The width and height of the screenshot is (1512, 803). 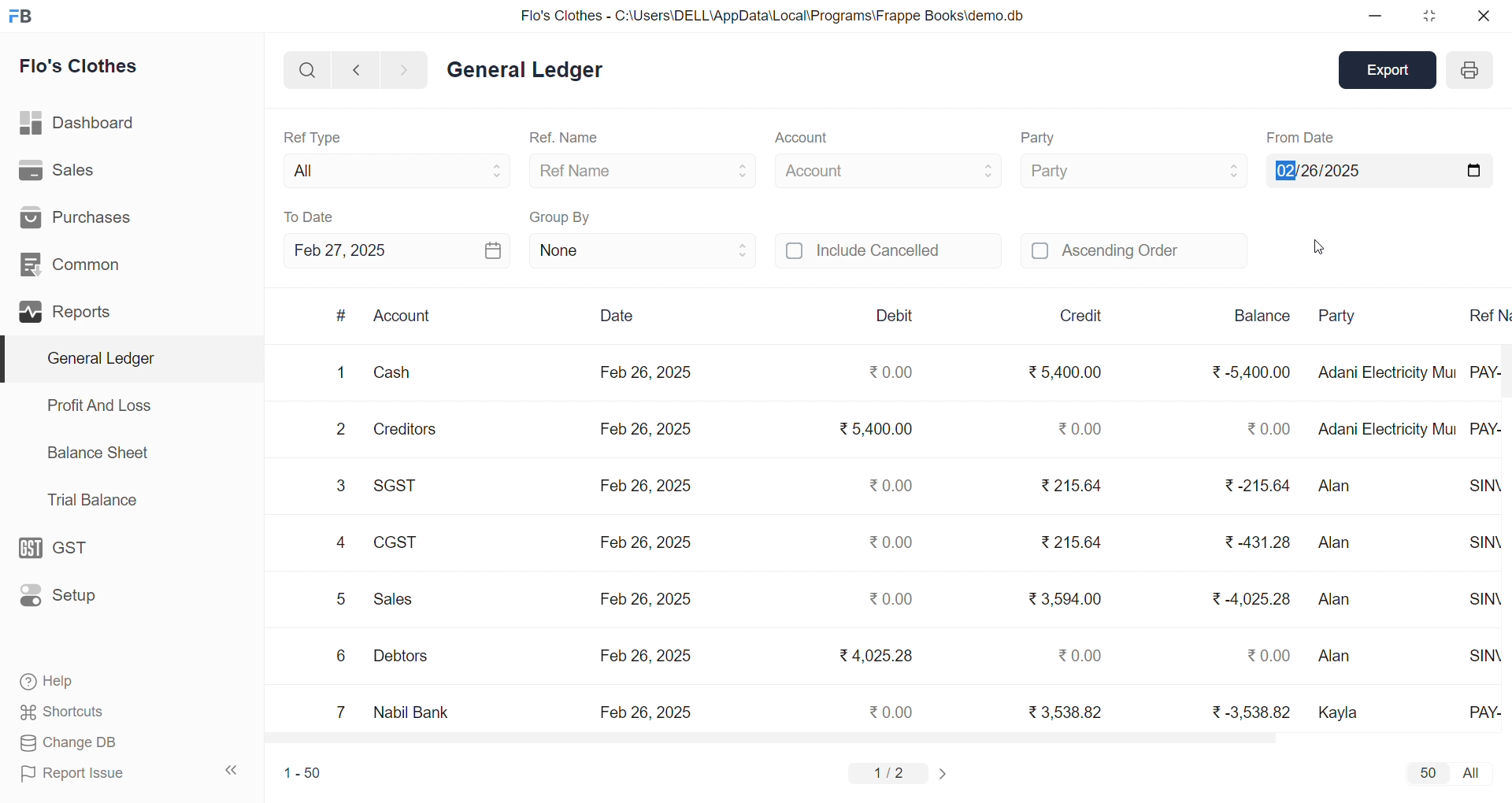 What do you see at coordinates (1336, 484) in the screenshot?
I see `Alan` at bounding box center [1336, 484].